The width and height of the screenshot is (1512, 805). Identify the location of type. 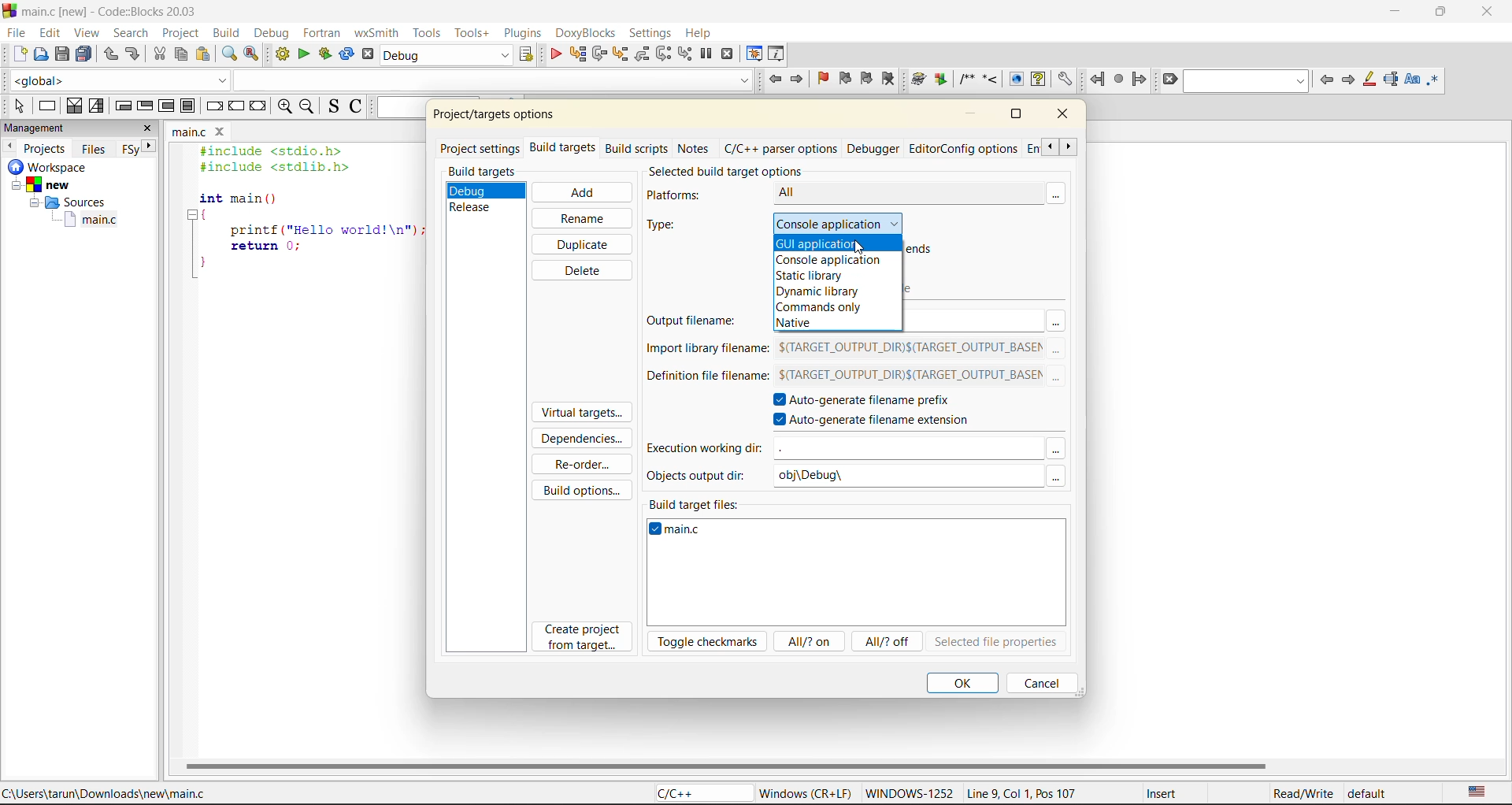
(665, 222).